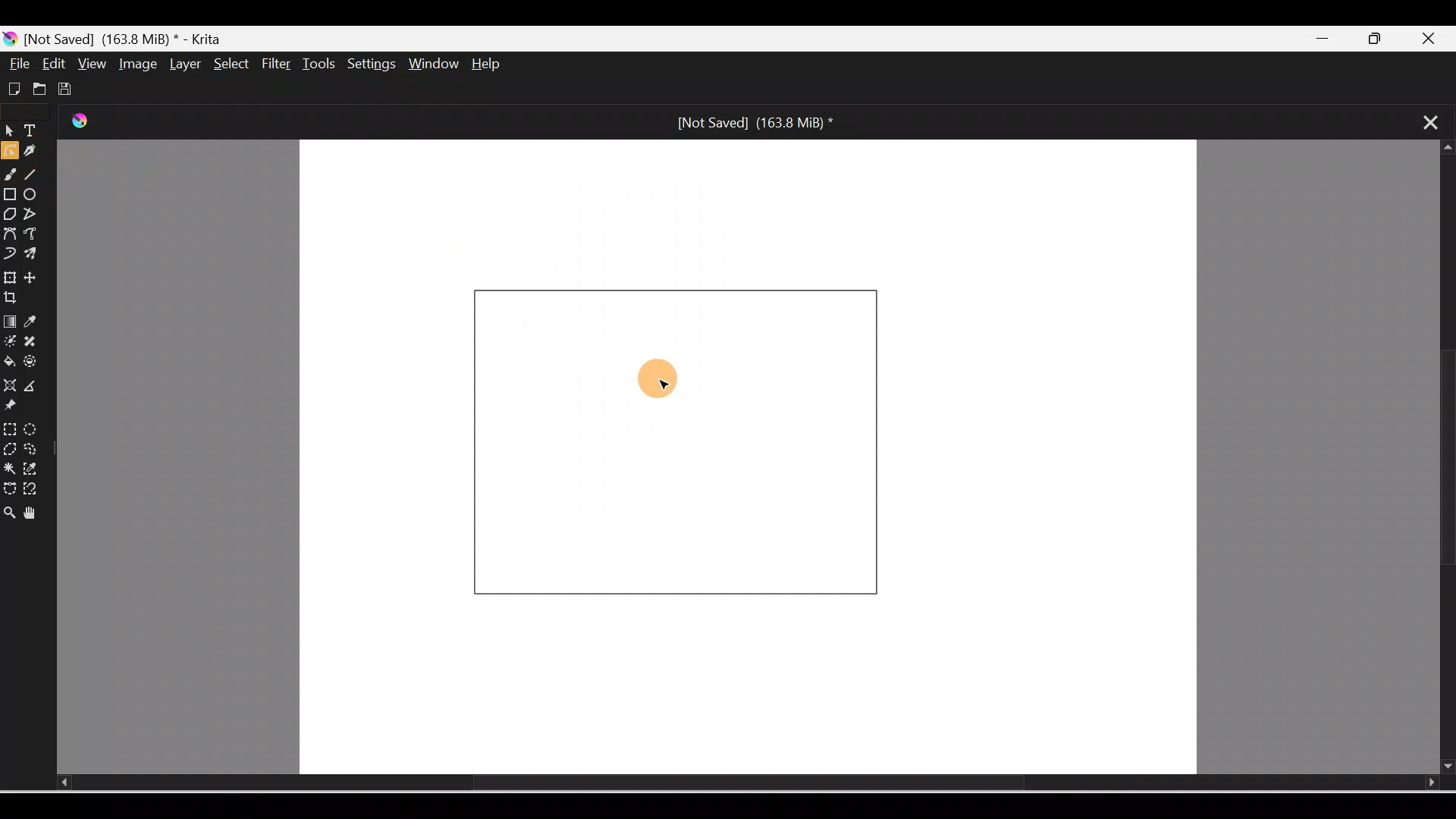 This screenshot has height=819, width=1456. What do you see at coordinates (436, 65) in the screenshot?
I see `Window` at bounding box center [436, 65].